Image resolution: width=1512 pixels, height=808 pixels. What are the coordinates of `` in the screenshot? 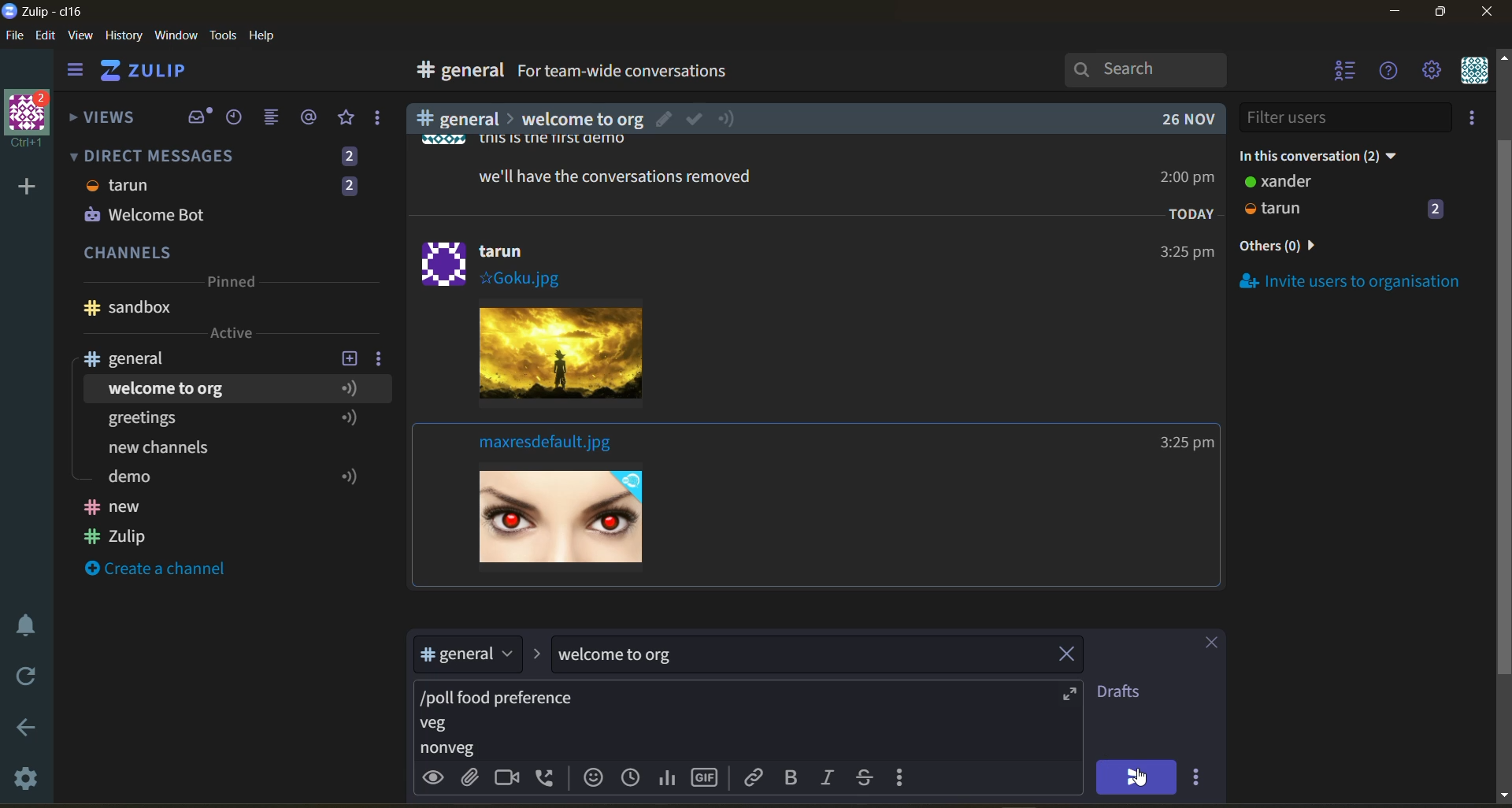 It's located at (1186, 254).